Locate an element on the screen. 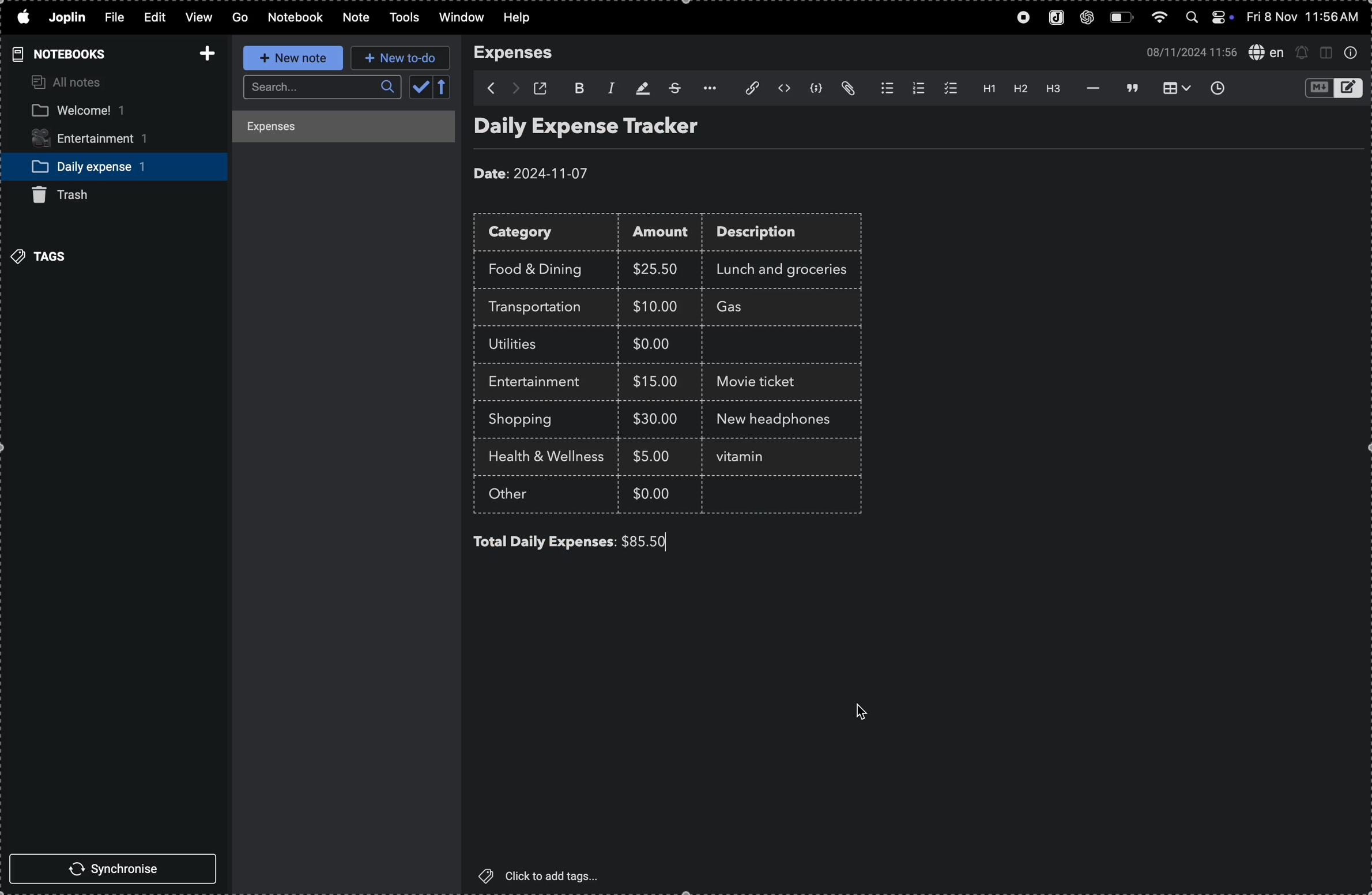  spell check is located at coordinates (1265, 51).